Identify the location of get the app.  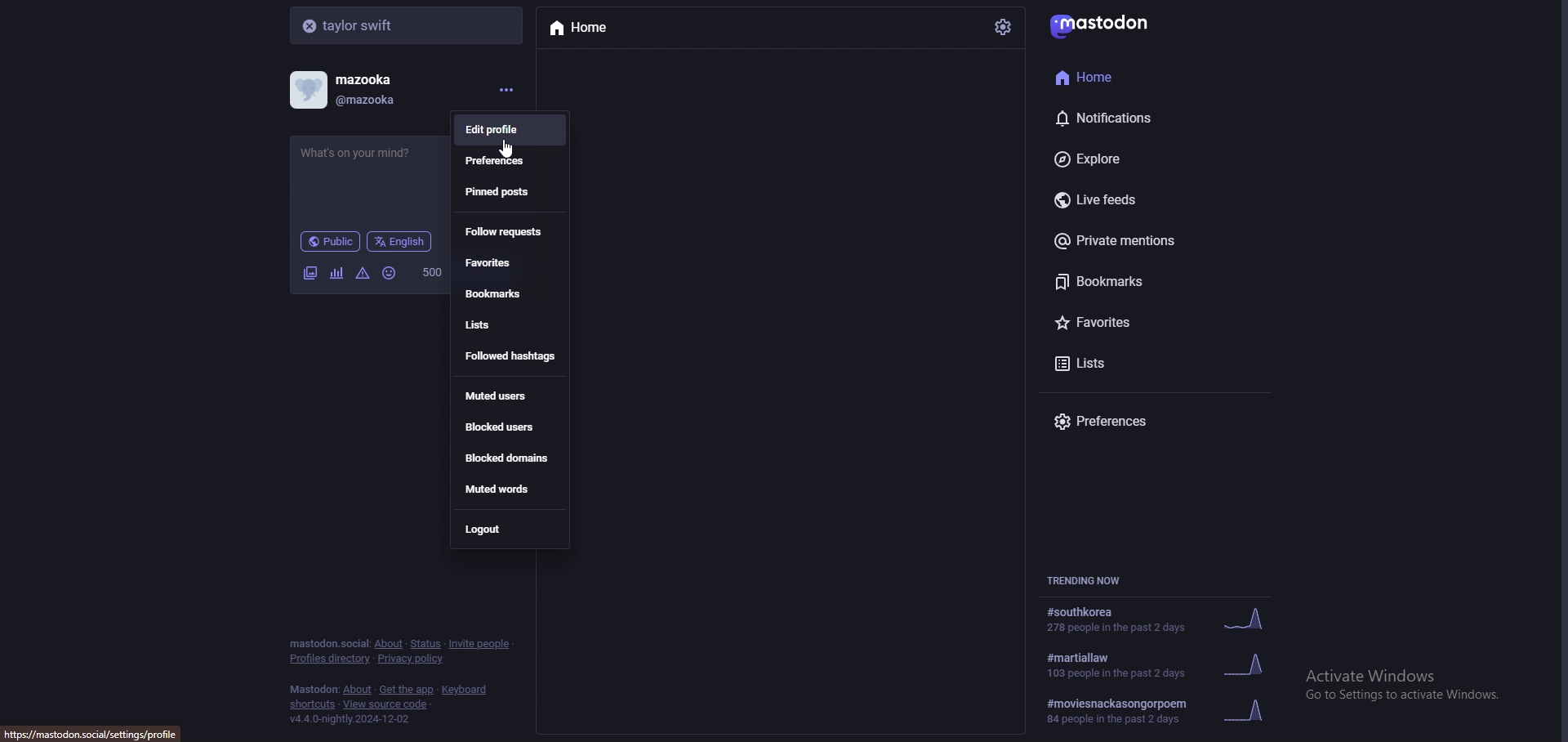
(405, 689).